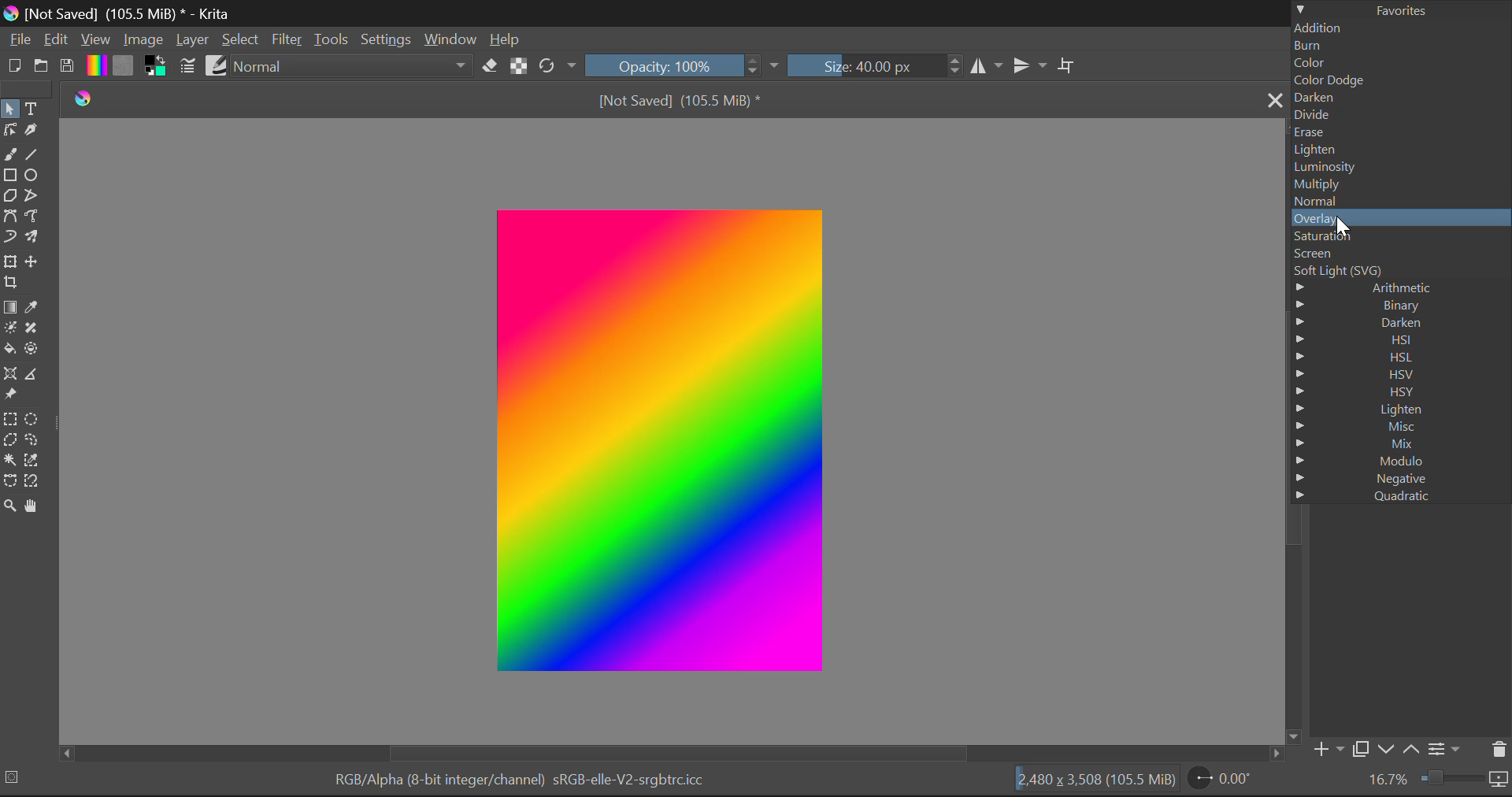 The image size is (1512, 797). What do you see at coordinates (68, 68) in the screenshot?
I see `Save` at bounding box center [68, 68].